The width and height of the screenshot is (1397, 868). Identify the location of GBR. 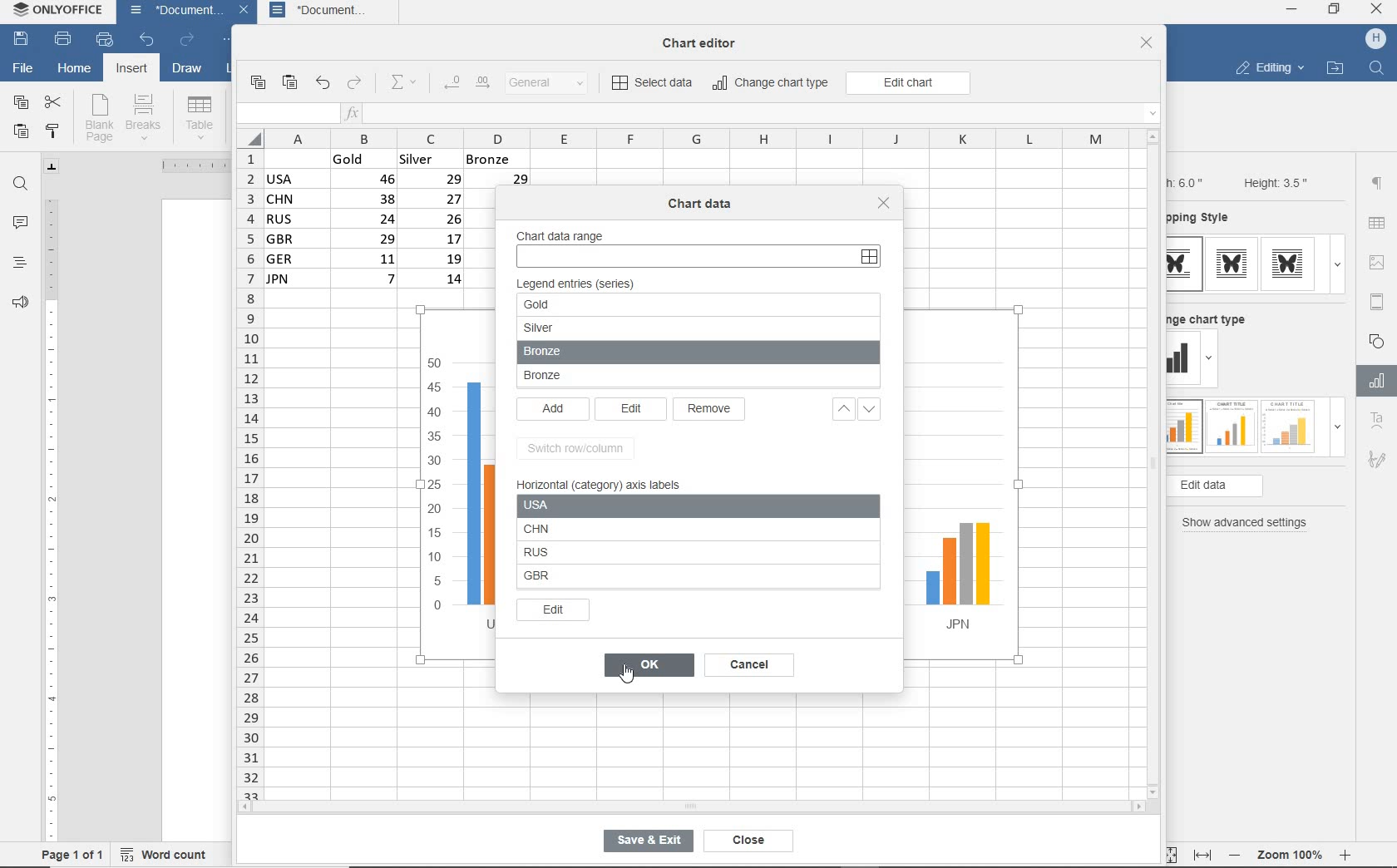
(680, 577).